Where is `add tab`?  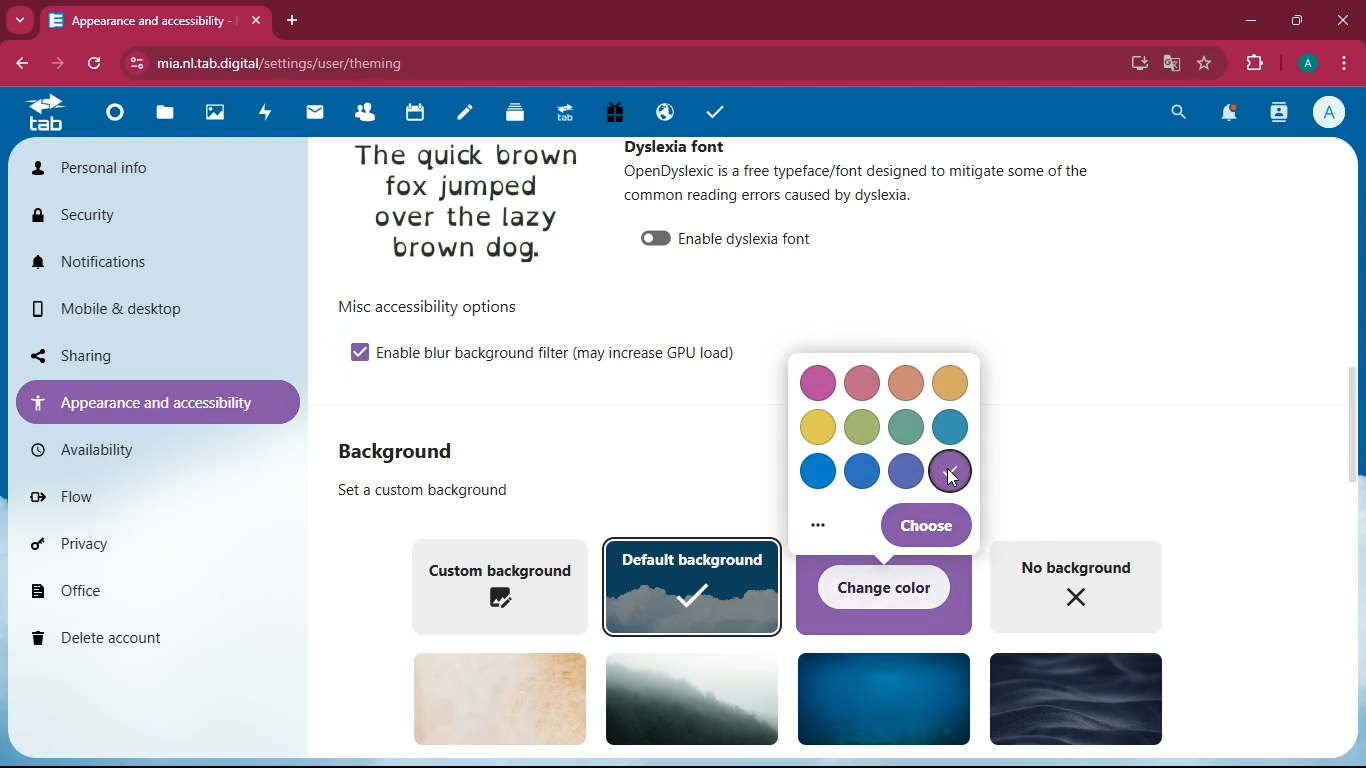
add tab is located at coordinates (298, 21).